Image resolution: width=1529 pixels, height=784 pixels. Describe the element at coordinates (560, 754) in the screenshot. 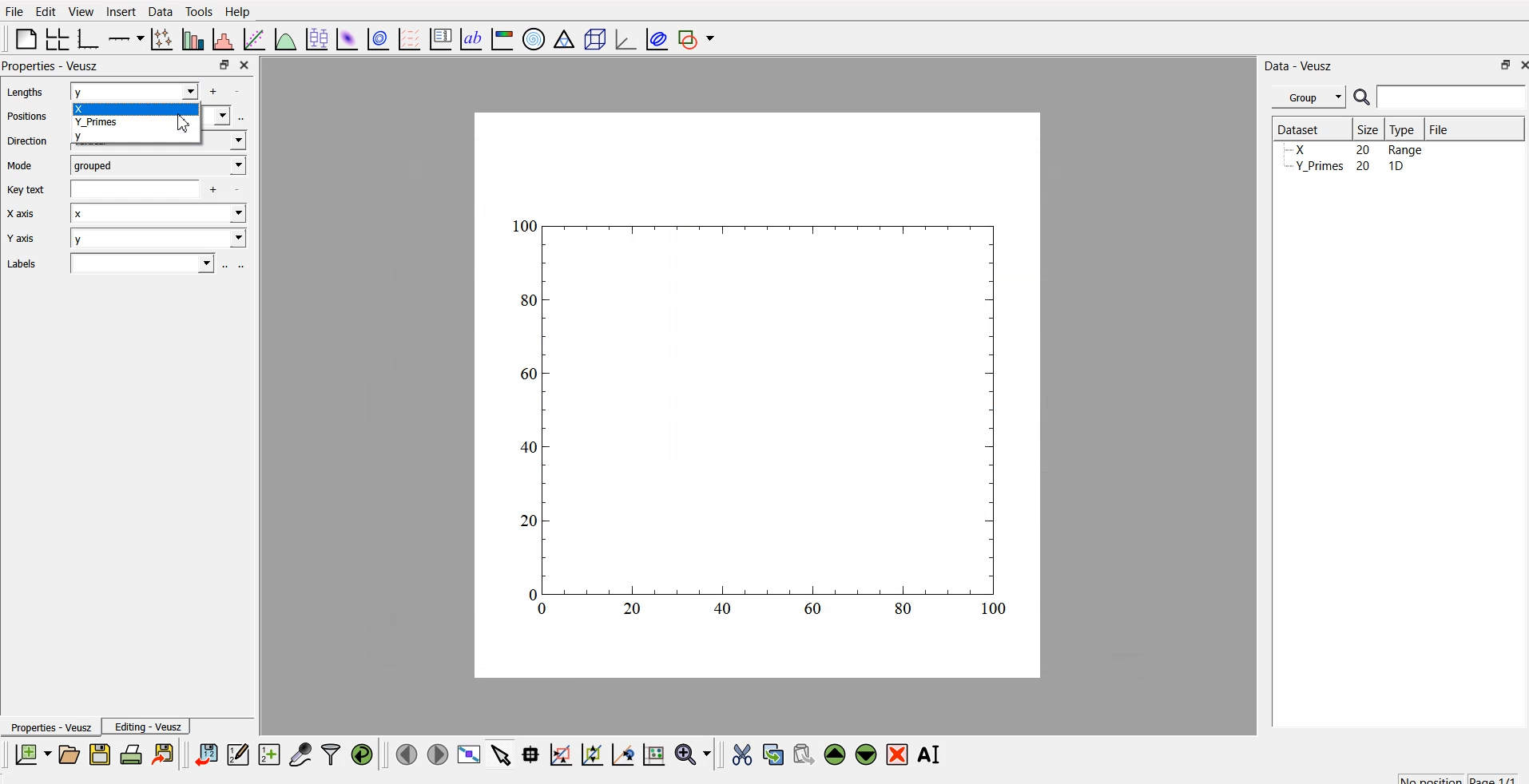

I see `draw rectangle to zoom` at that location.